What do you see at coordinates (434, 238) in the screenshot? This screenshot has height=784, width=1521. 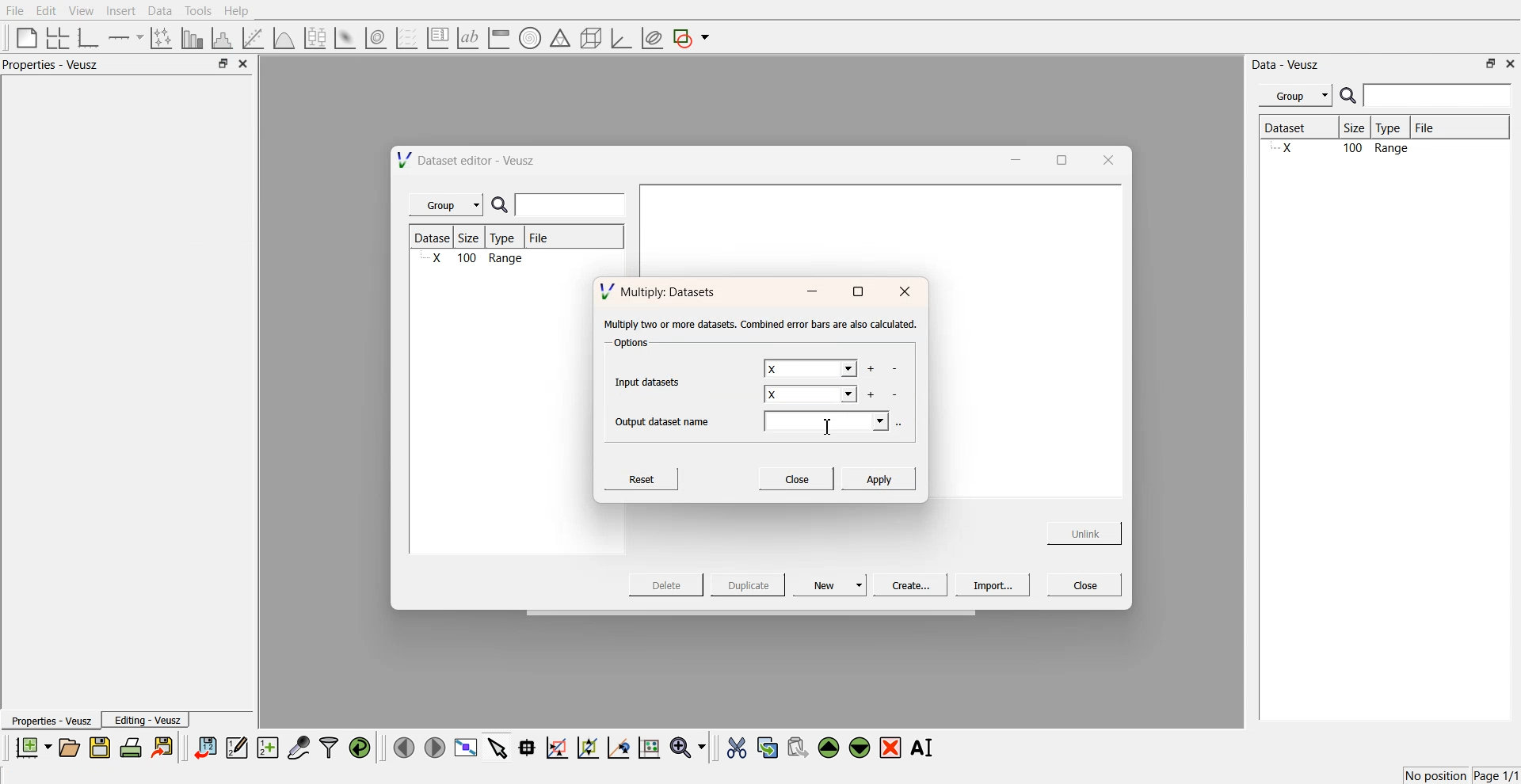 I see `Dataset` at bounding box center [434, 238].